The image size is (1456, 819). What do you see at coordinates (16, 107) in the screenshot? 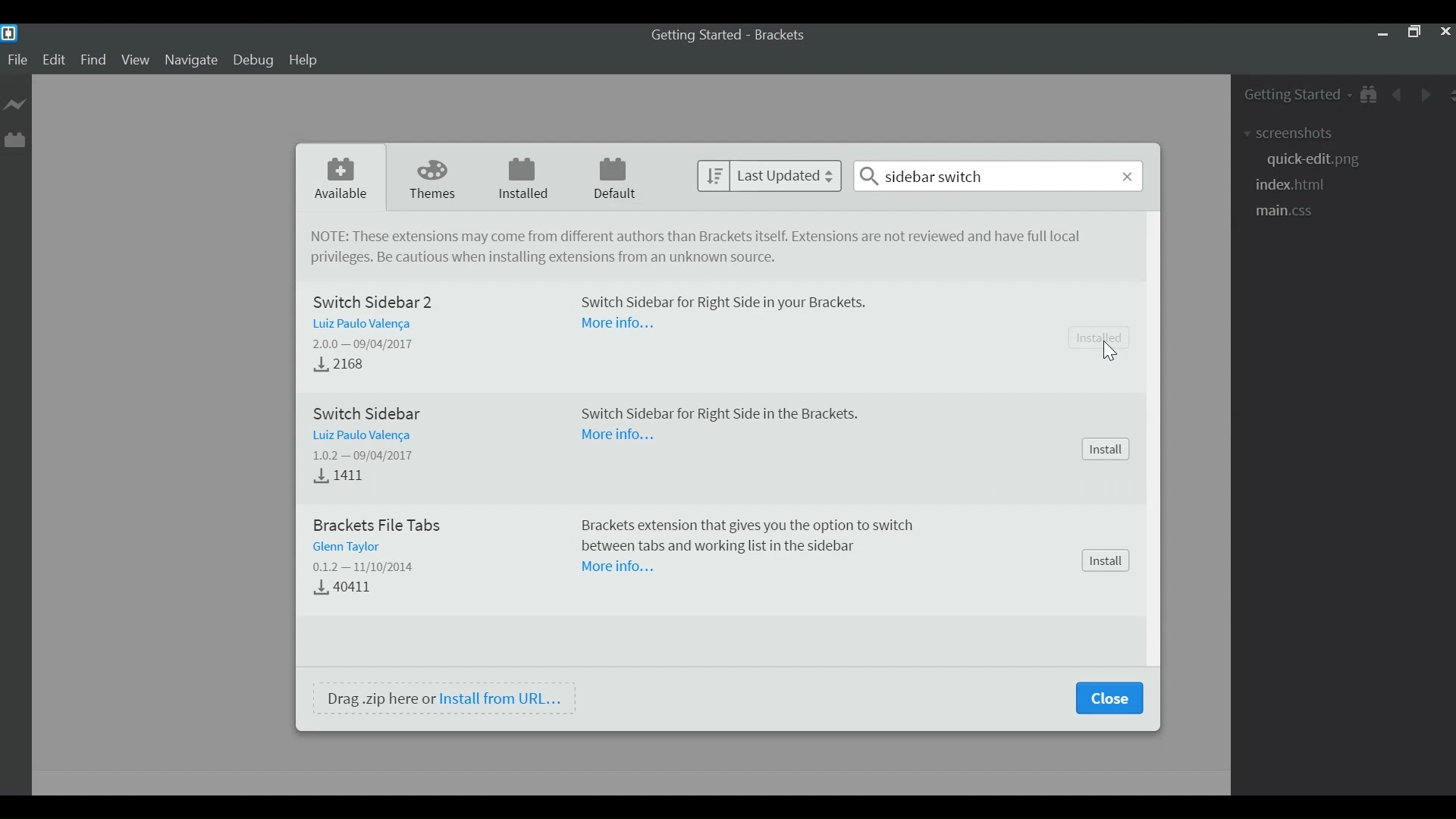
I see `Live Preview` at bounding box center [16, 107].